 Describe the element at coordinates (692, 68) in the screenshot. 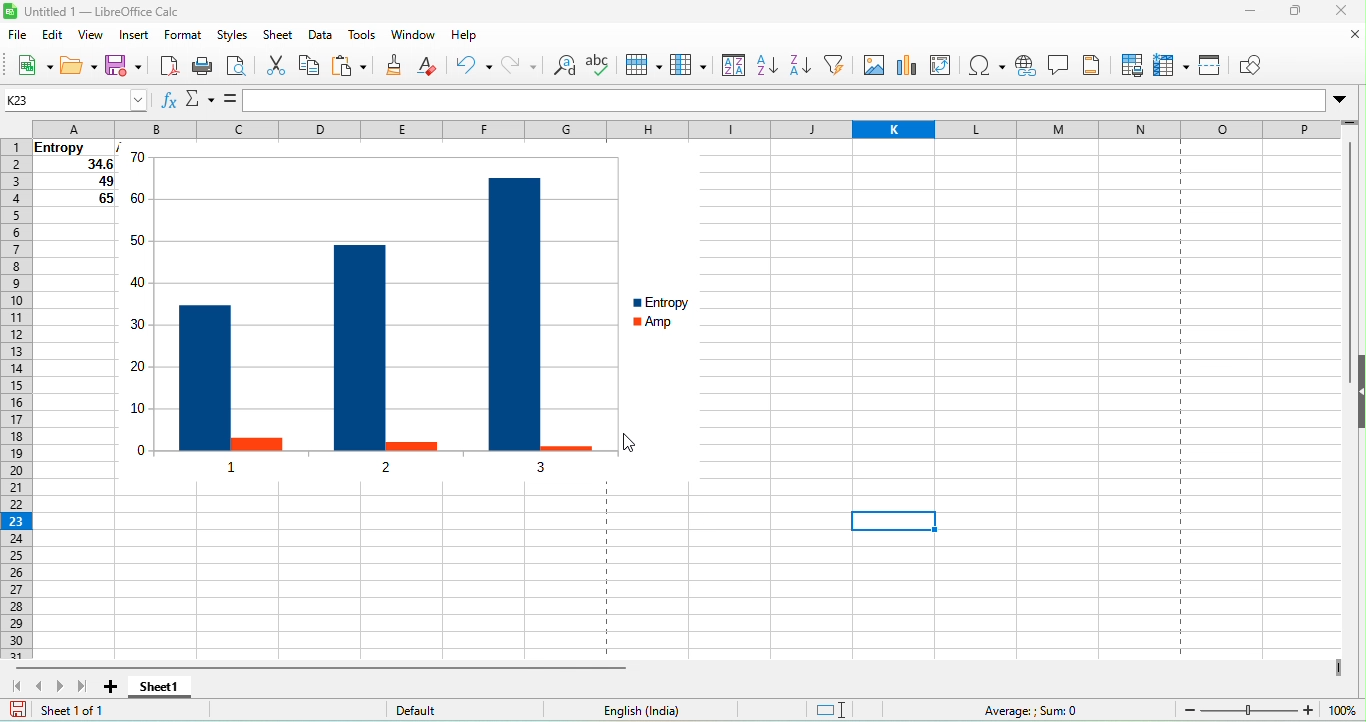

I see `column` at that location.